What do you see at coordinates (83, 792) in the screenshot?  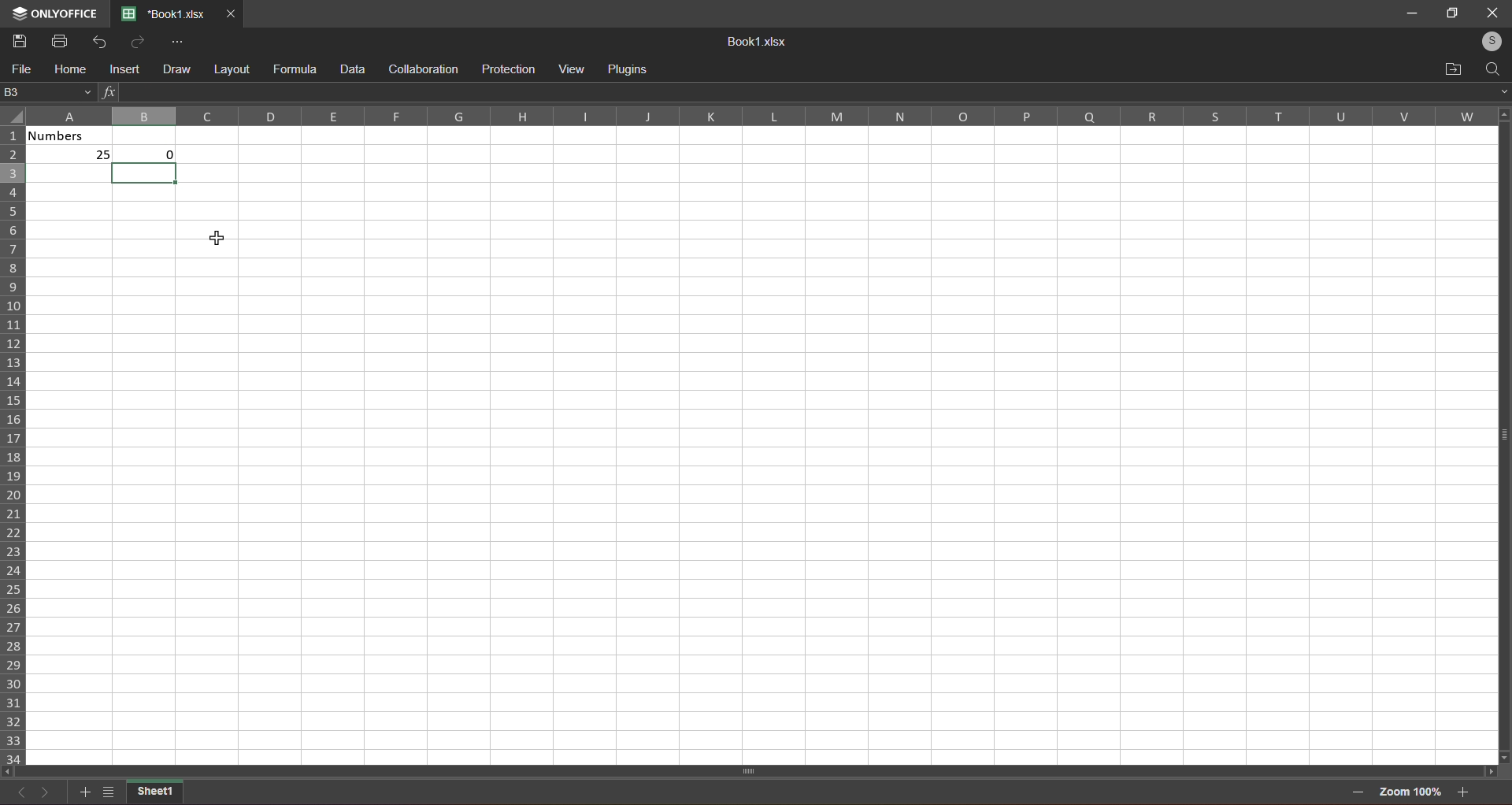 I see `add sheet` at bounding box center [83, 792].